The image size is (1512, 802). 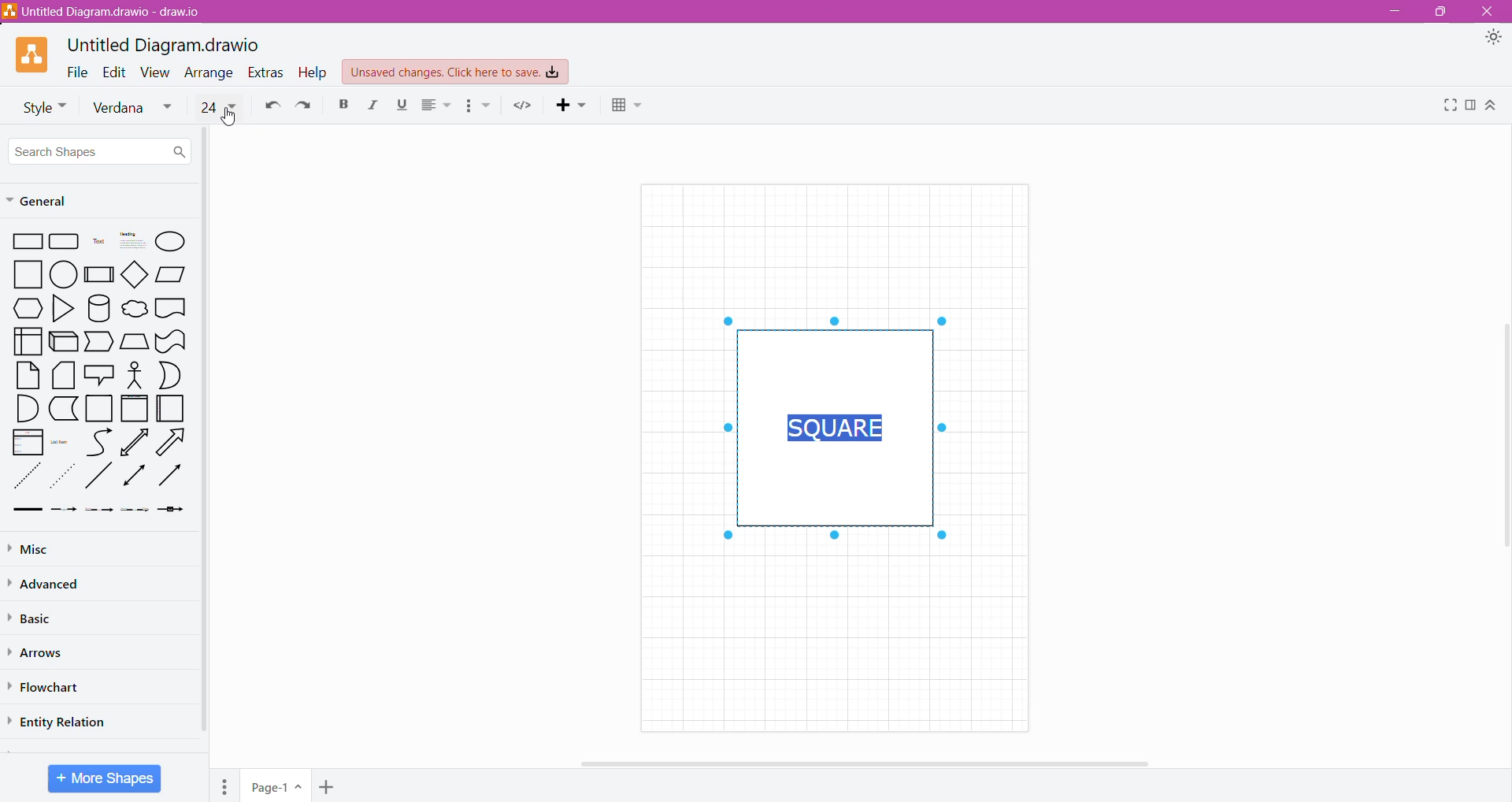 What do you see at coordinates (172, 443) in the screenshot?
I see `Right Diagonal Arrow ` at bounding box center [172, 443].